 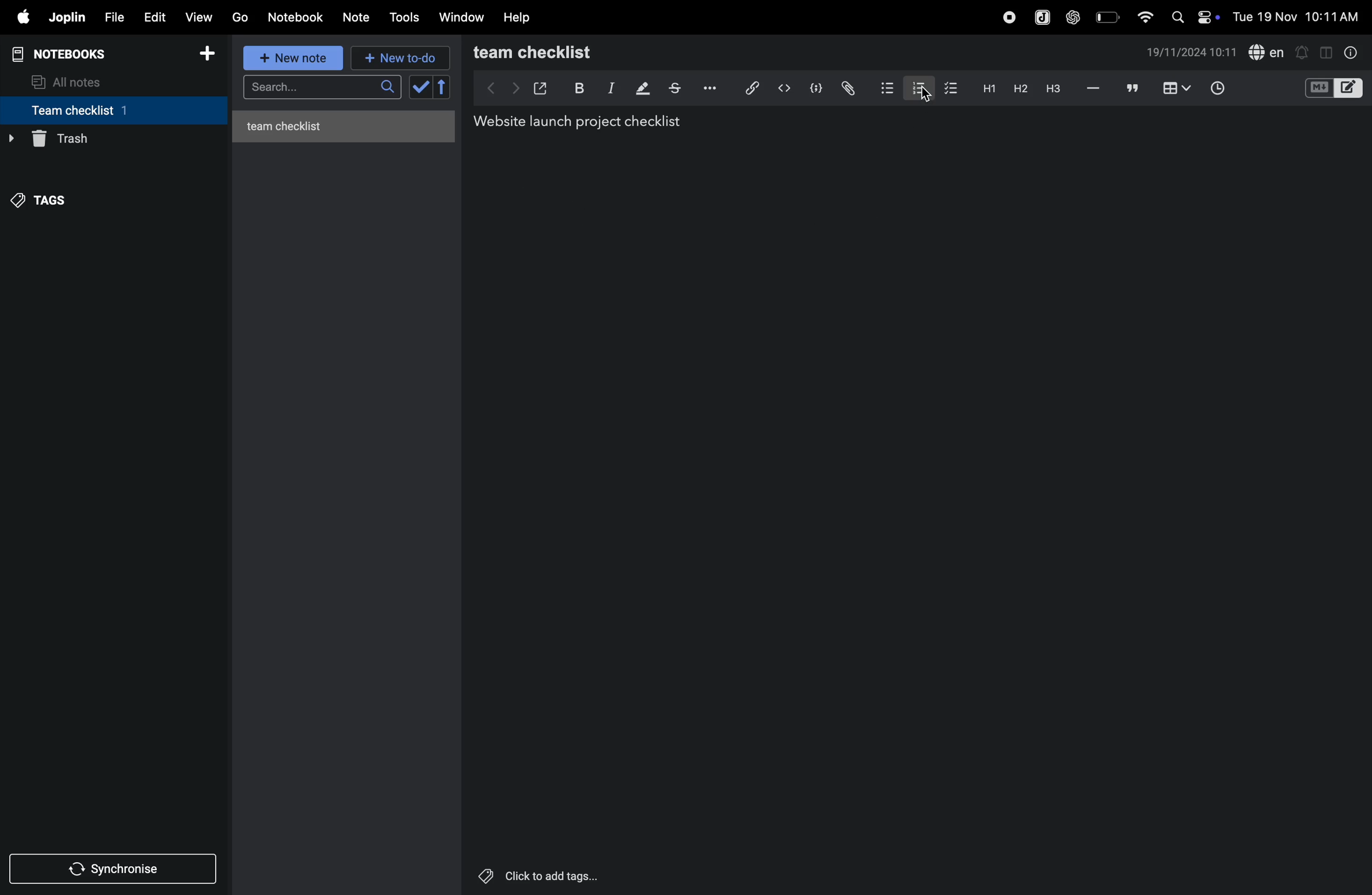 What do you see at coordinates (1350, 87) in the screenshot?
I see `editor layout` at bounding box center [1350, 87].